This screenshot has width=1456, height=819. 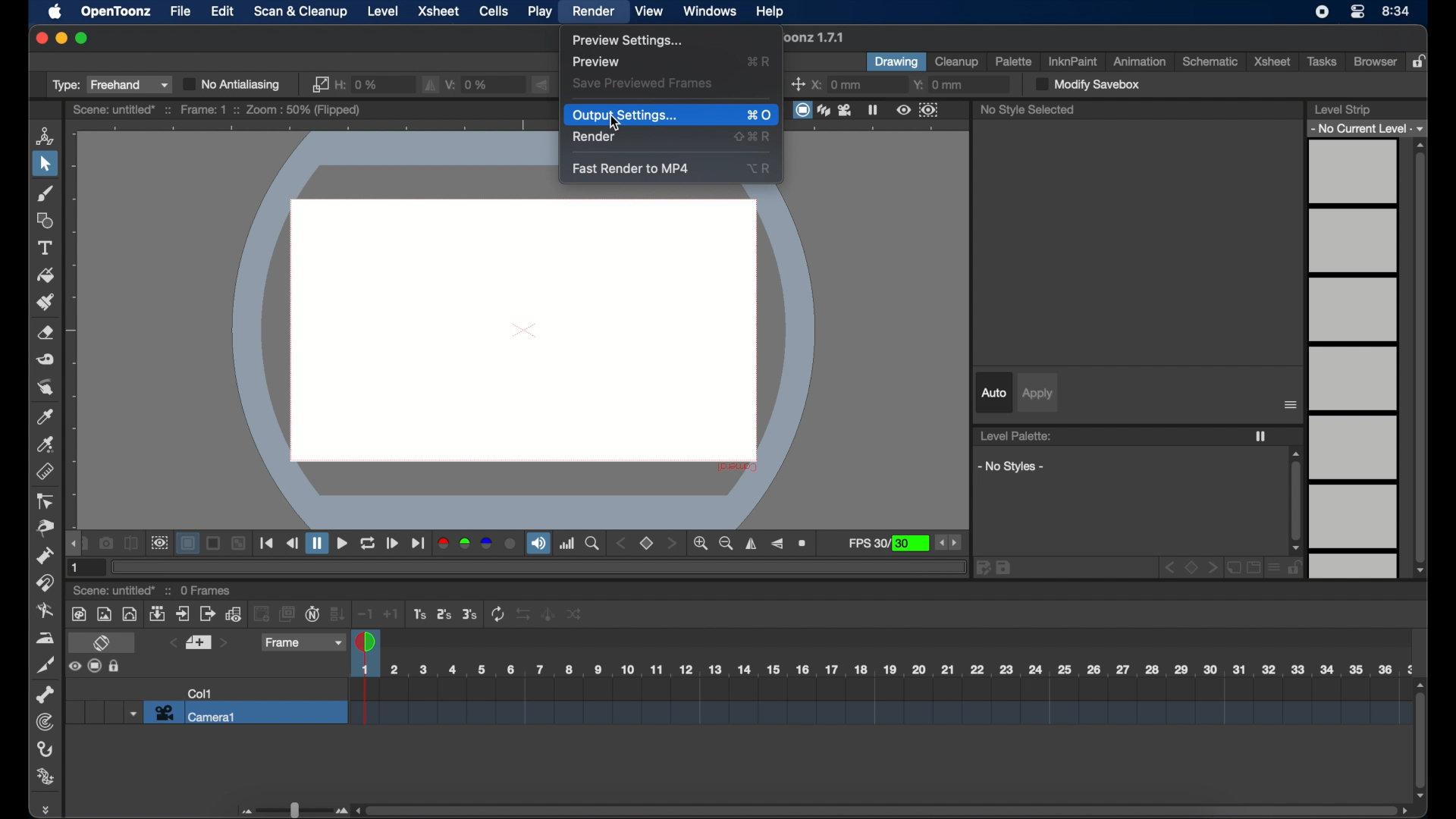 What do you see at coordinates (233, 84) in the screenshot?
I see `no antialiasing` at bounding box center [233, 84].